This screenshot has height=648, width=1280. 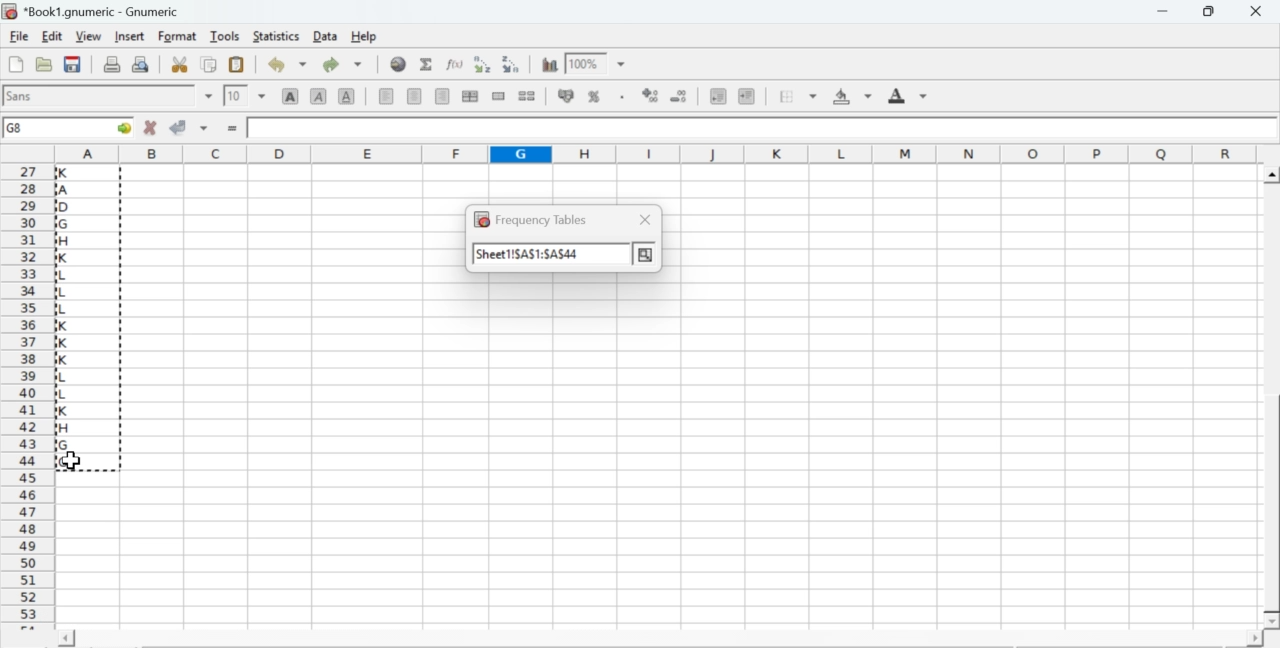 What do you see at coordinates (42, 64) in the screenshot?
I see `open` at bounding box center [42, 64].